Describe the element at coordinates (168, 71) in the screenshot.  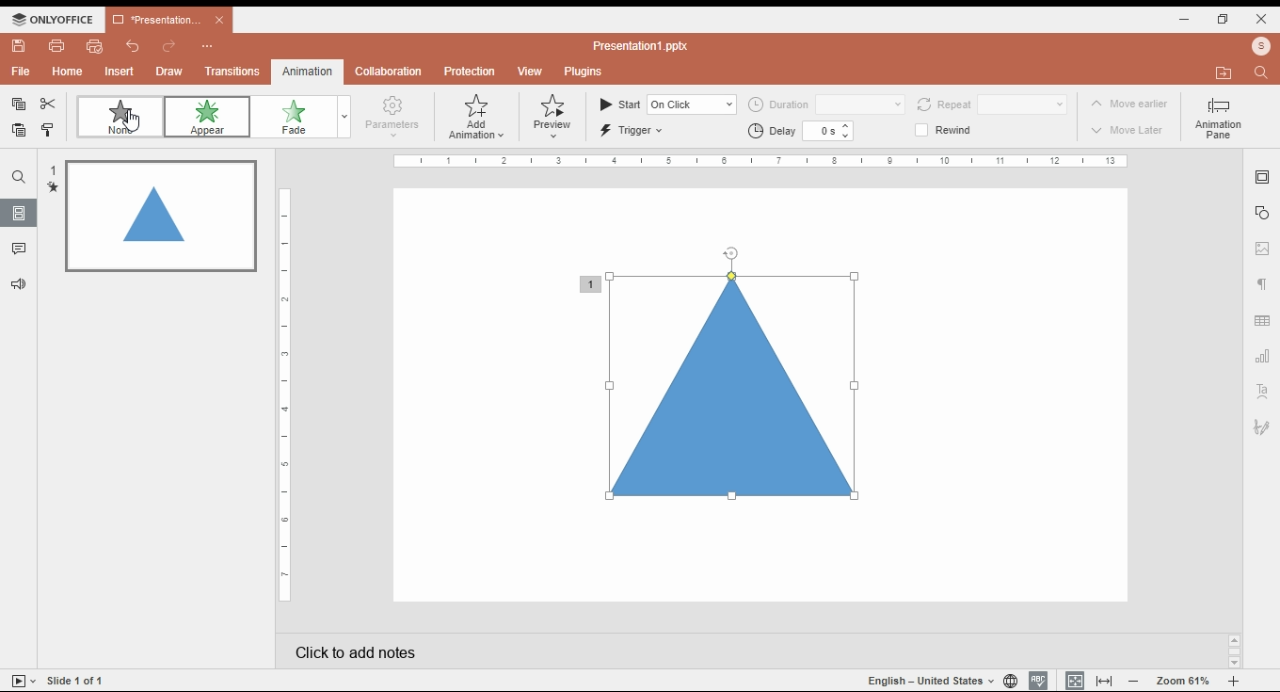
I see `draw` at that location.